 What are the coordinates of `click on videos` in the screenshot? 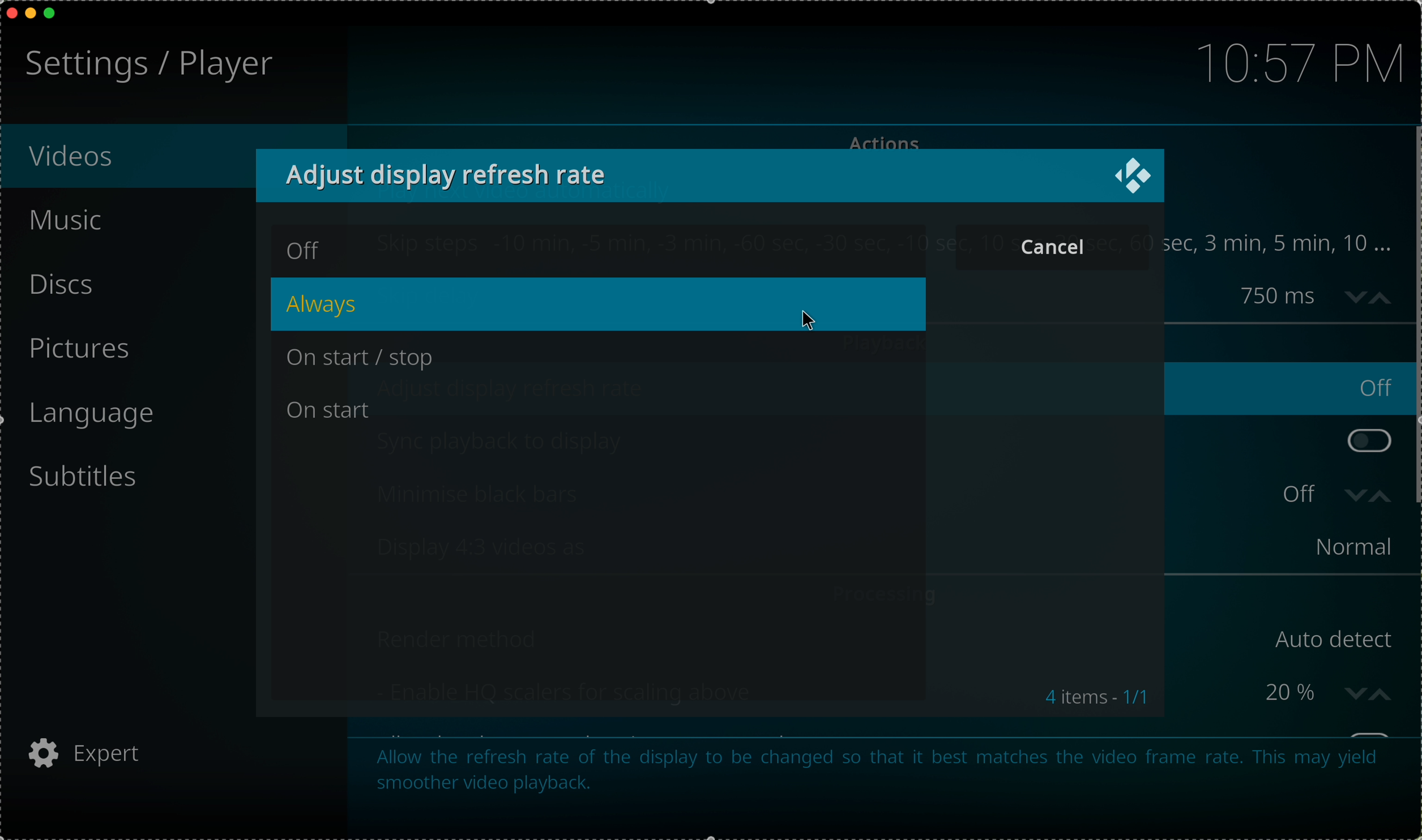 It's located at (126, 158).